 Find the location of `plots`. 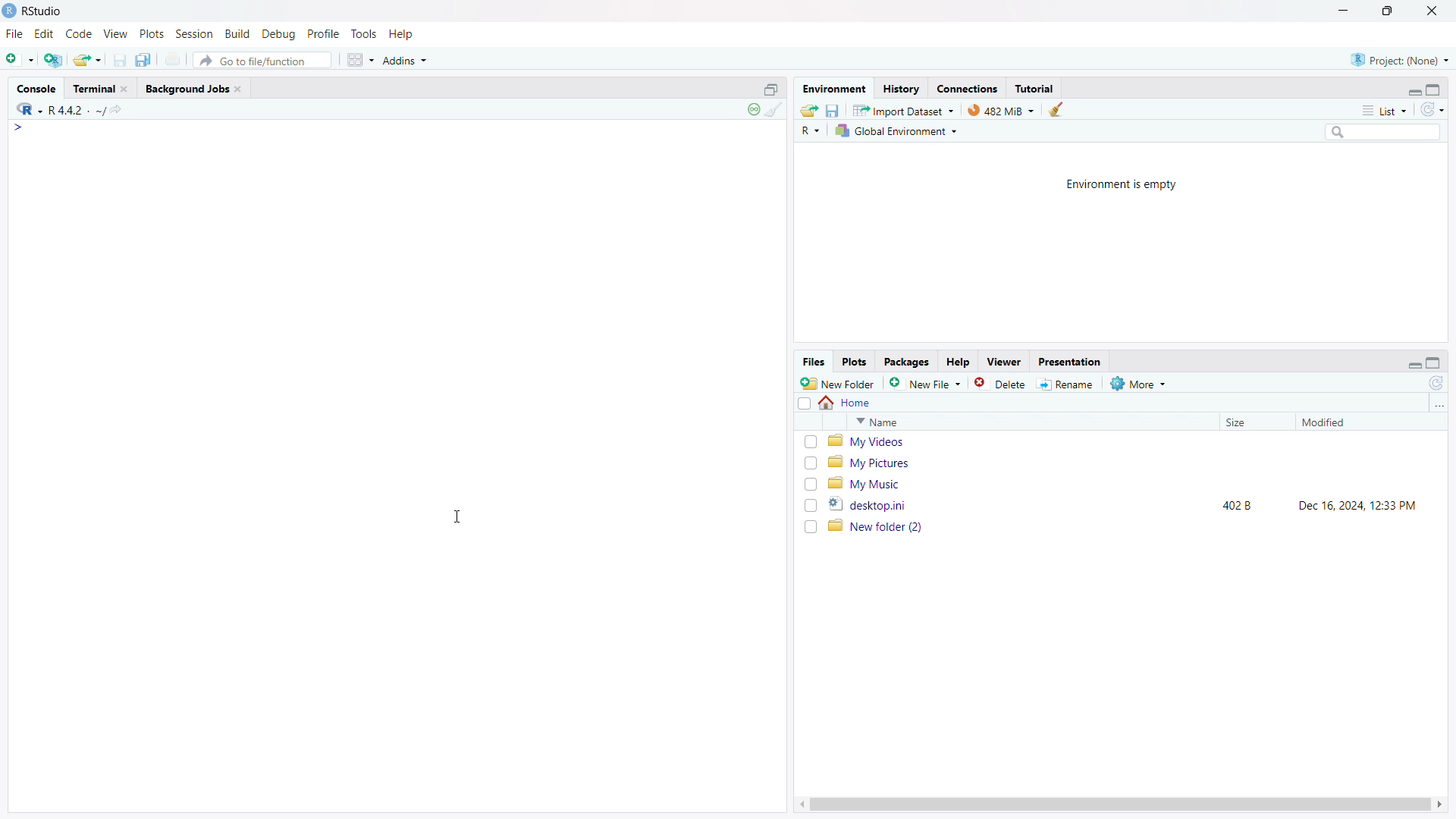

plots is located at coordinates (152, 34).